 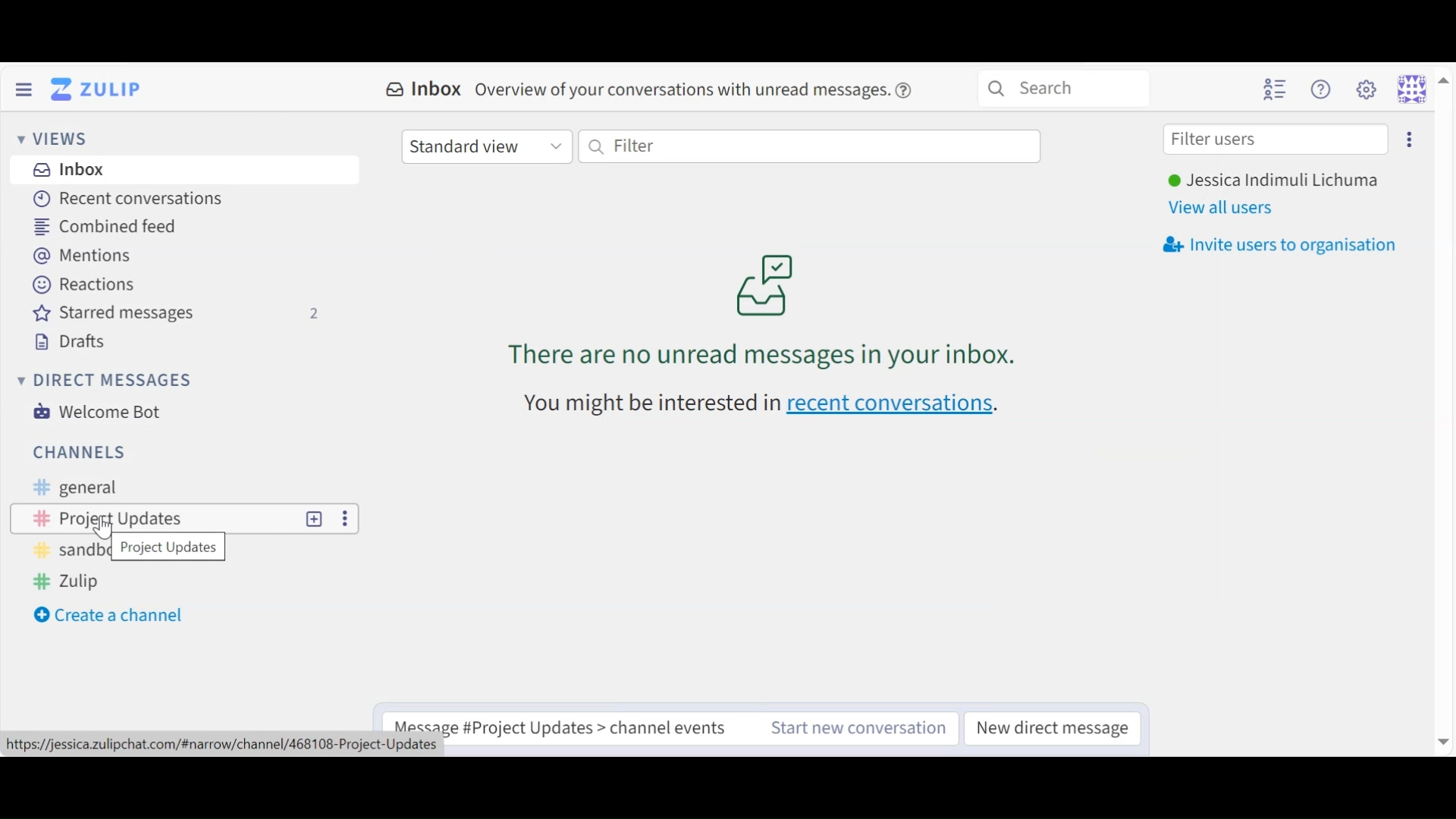 I want to click on Standard View, so click(x=485, y=148).